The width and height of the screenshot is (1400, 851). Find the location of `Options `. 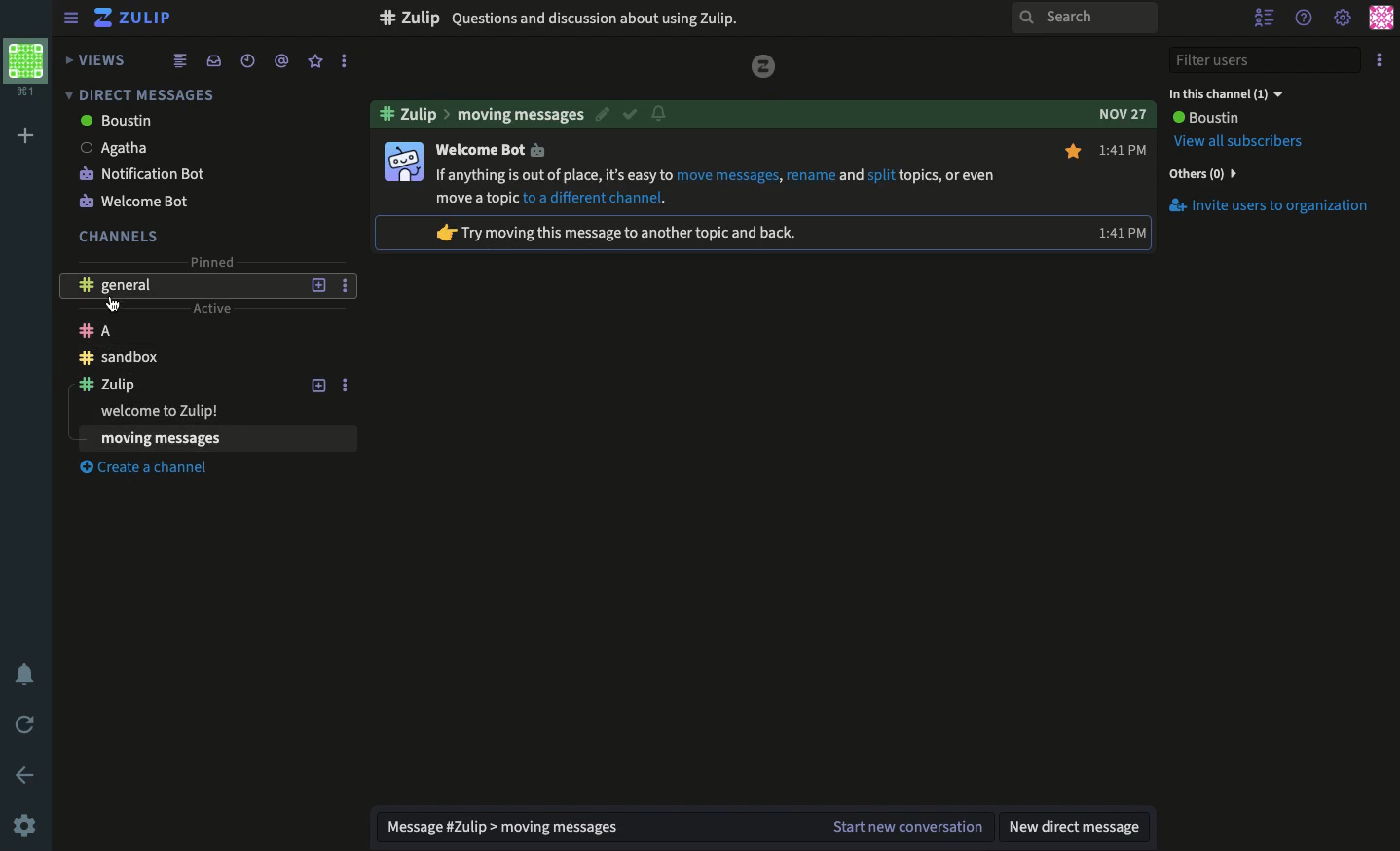

Options  is located at coordinates (1382, 56).